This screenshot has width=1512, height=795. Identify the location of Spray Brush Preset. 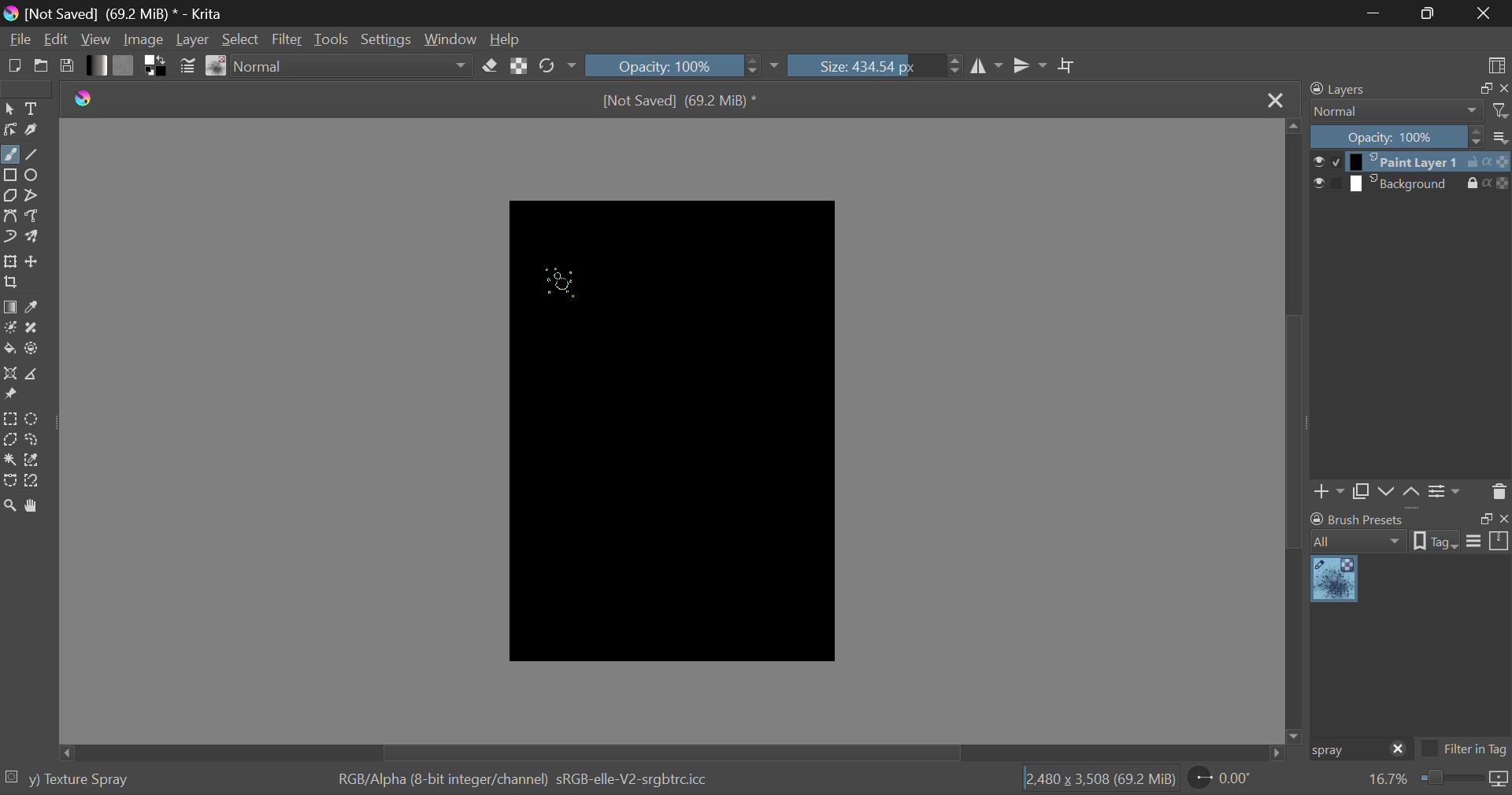
(1334, 580).